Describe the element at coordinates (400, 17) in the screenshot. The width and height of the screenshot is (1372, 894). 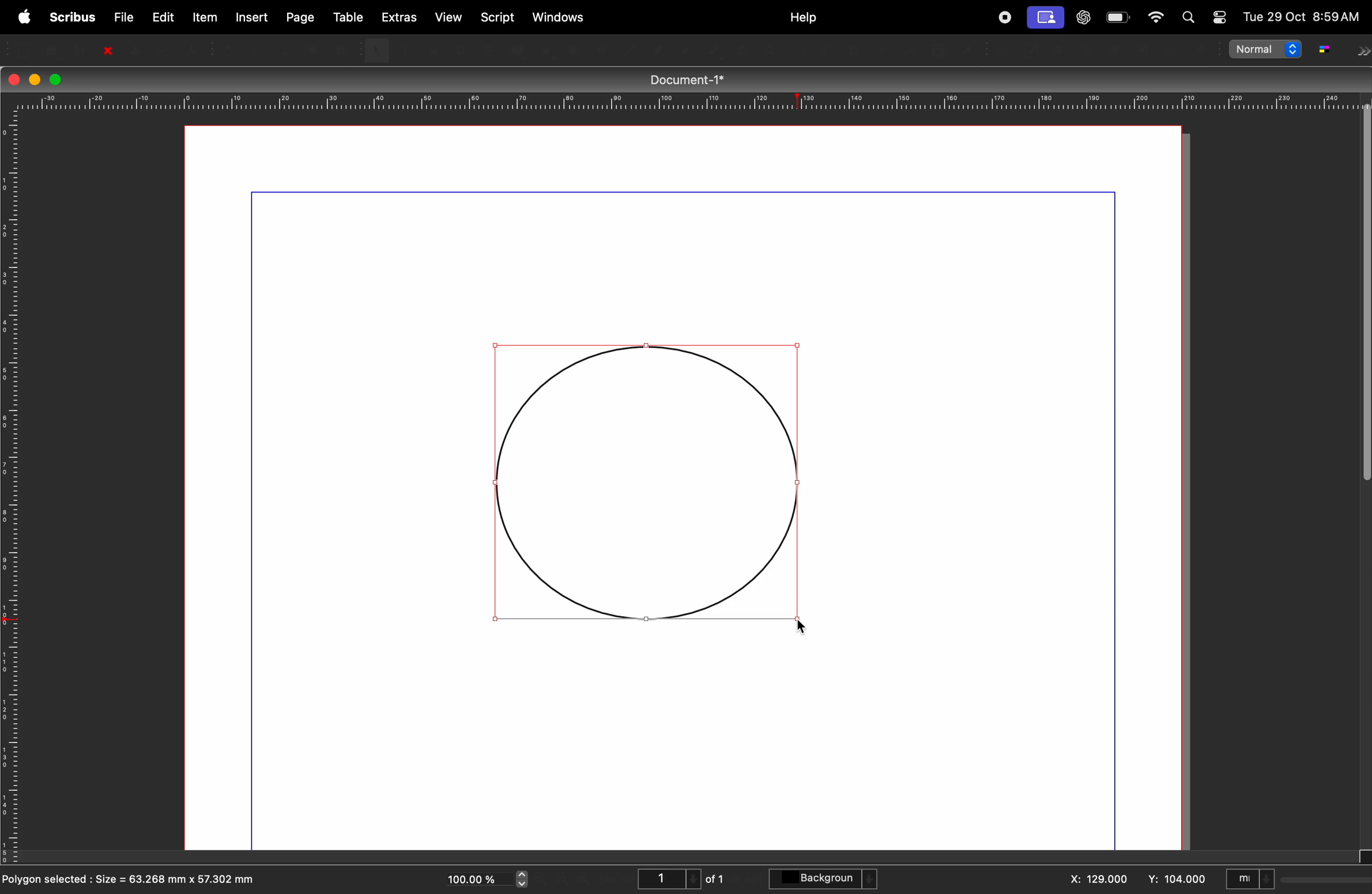
I see `extras` at that location.